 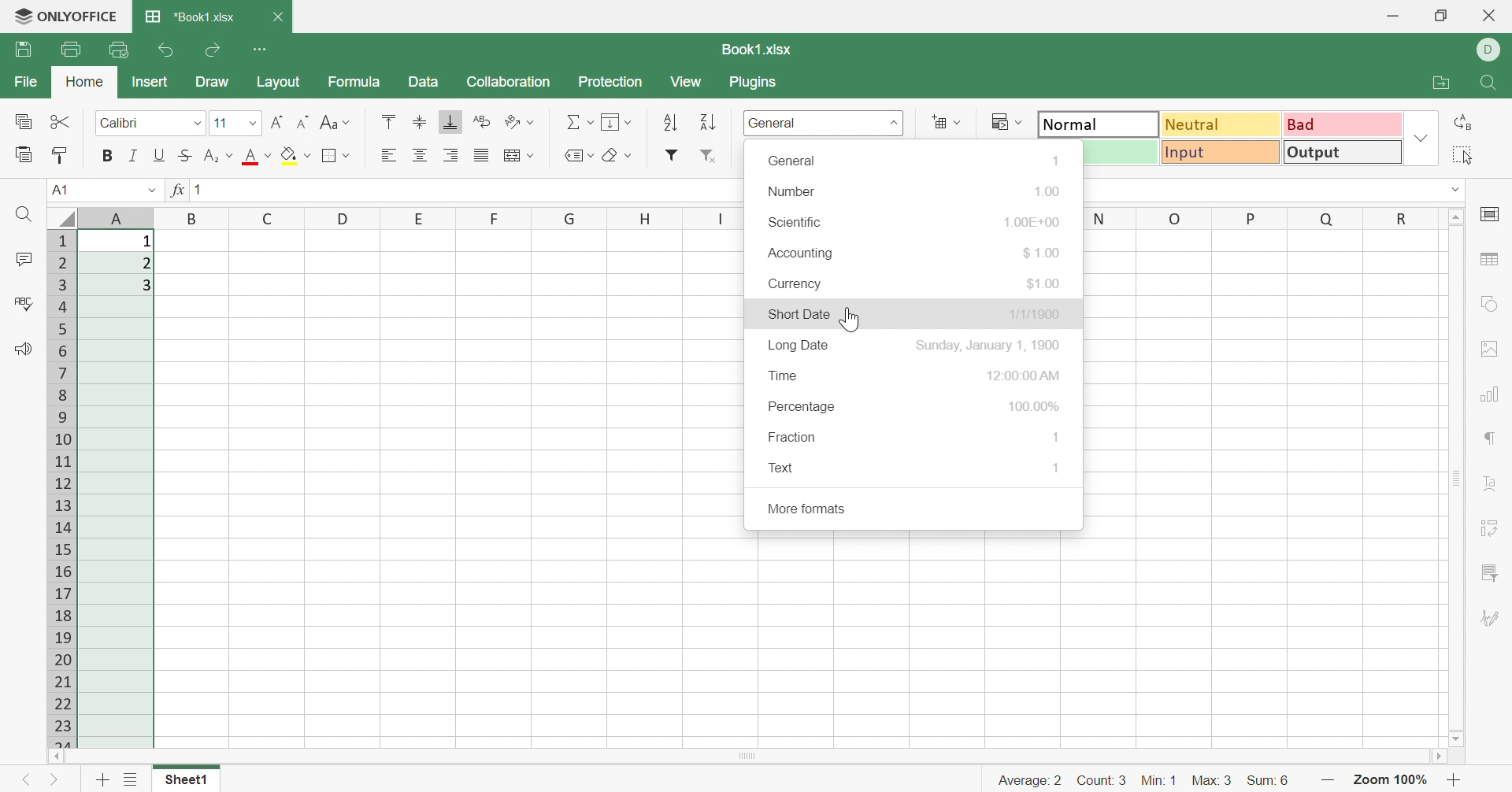 What do you see at coordinates (335, 121) in the screenshot?
I see `Change case` at bounding box center [335, 121].